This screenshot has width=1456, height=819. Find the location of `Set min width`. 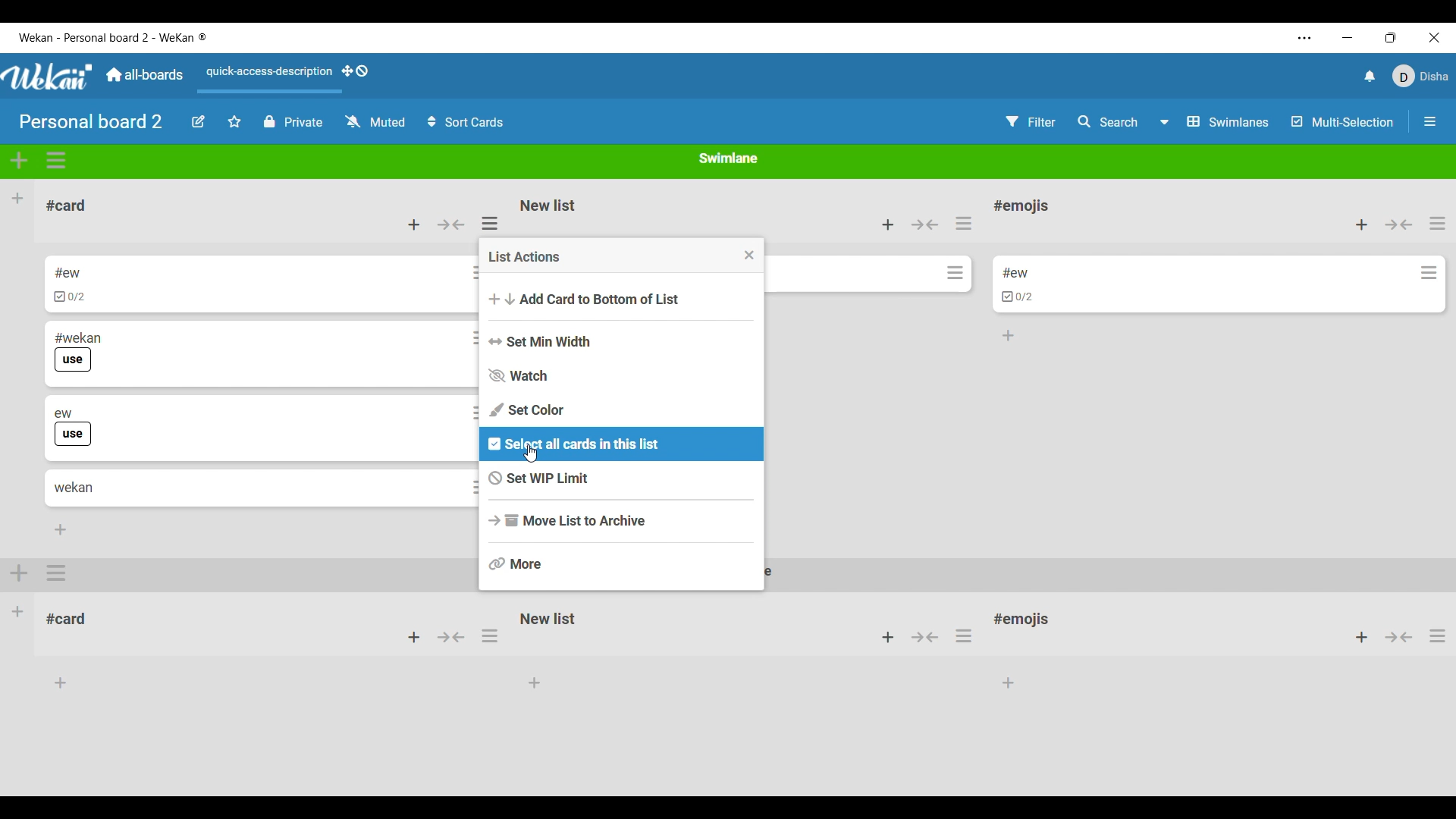

Set min width is located at coordinates (623, 341).